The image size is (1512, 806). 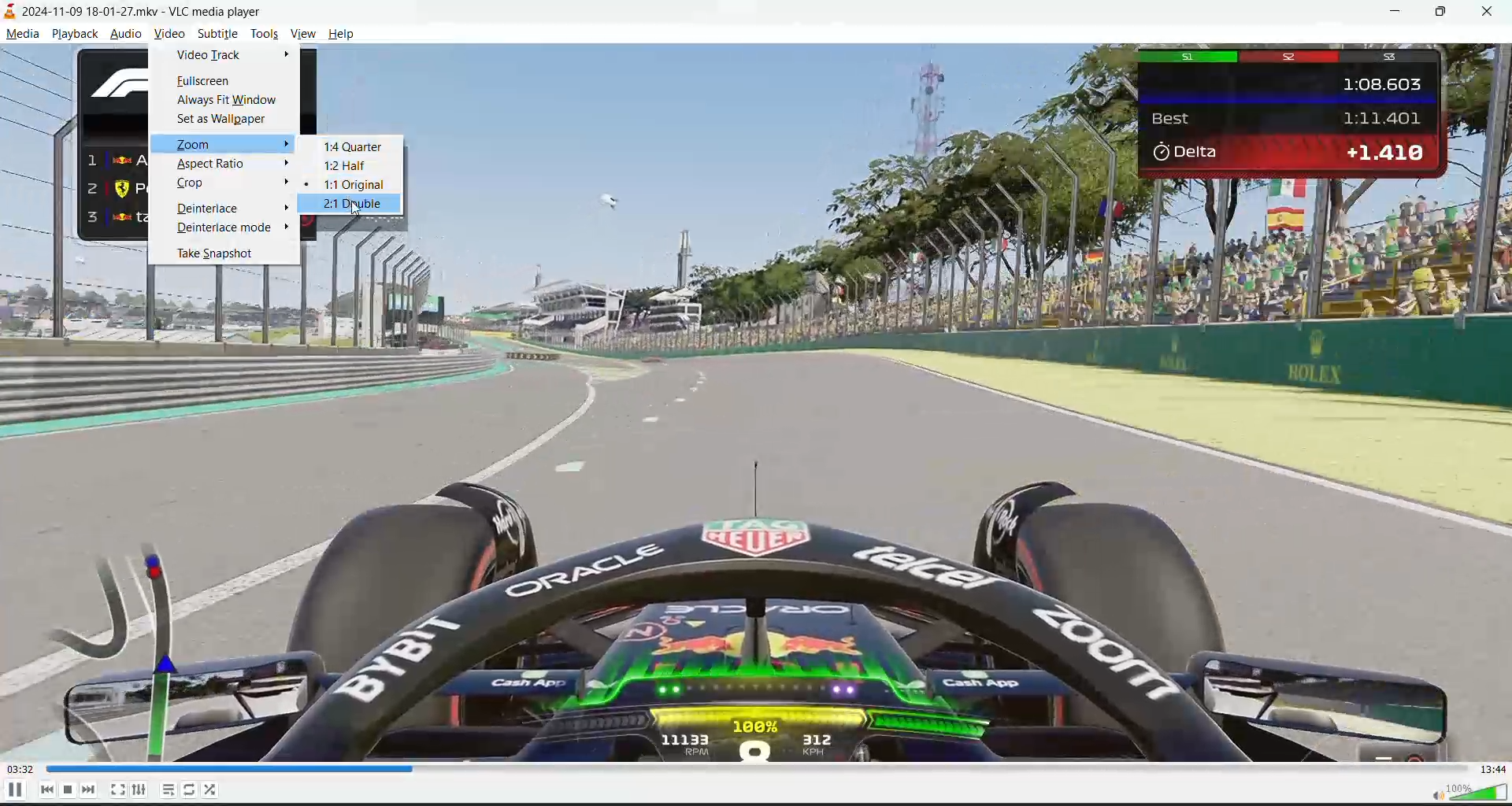 What do you see at coordinates (1406, 14) in the screenshot?
I see `minimize` at bounding box center [1406, 14].